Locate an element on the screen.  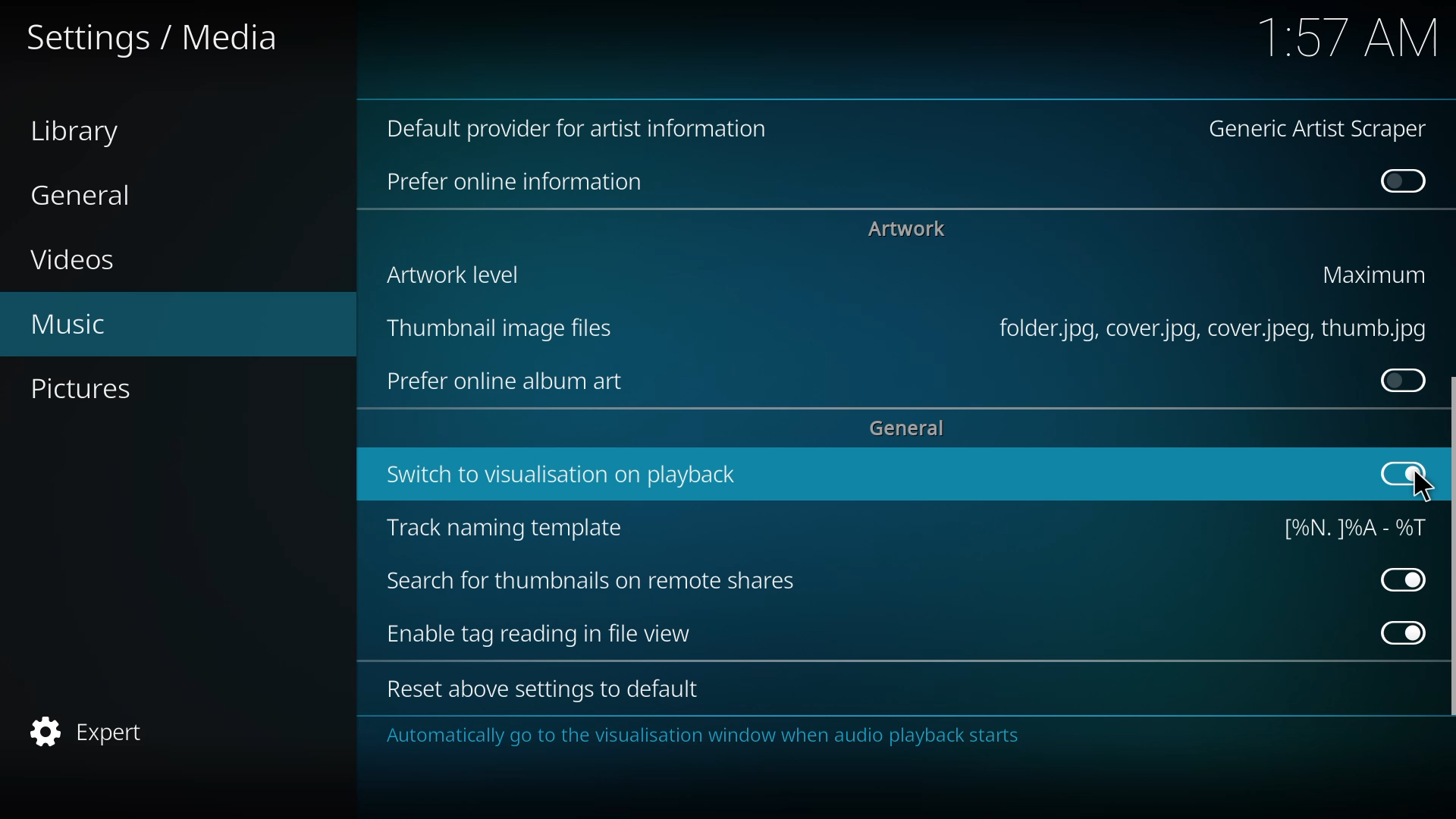
general is located at coordinates (83, 196).